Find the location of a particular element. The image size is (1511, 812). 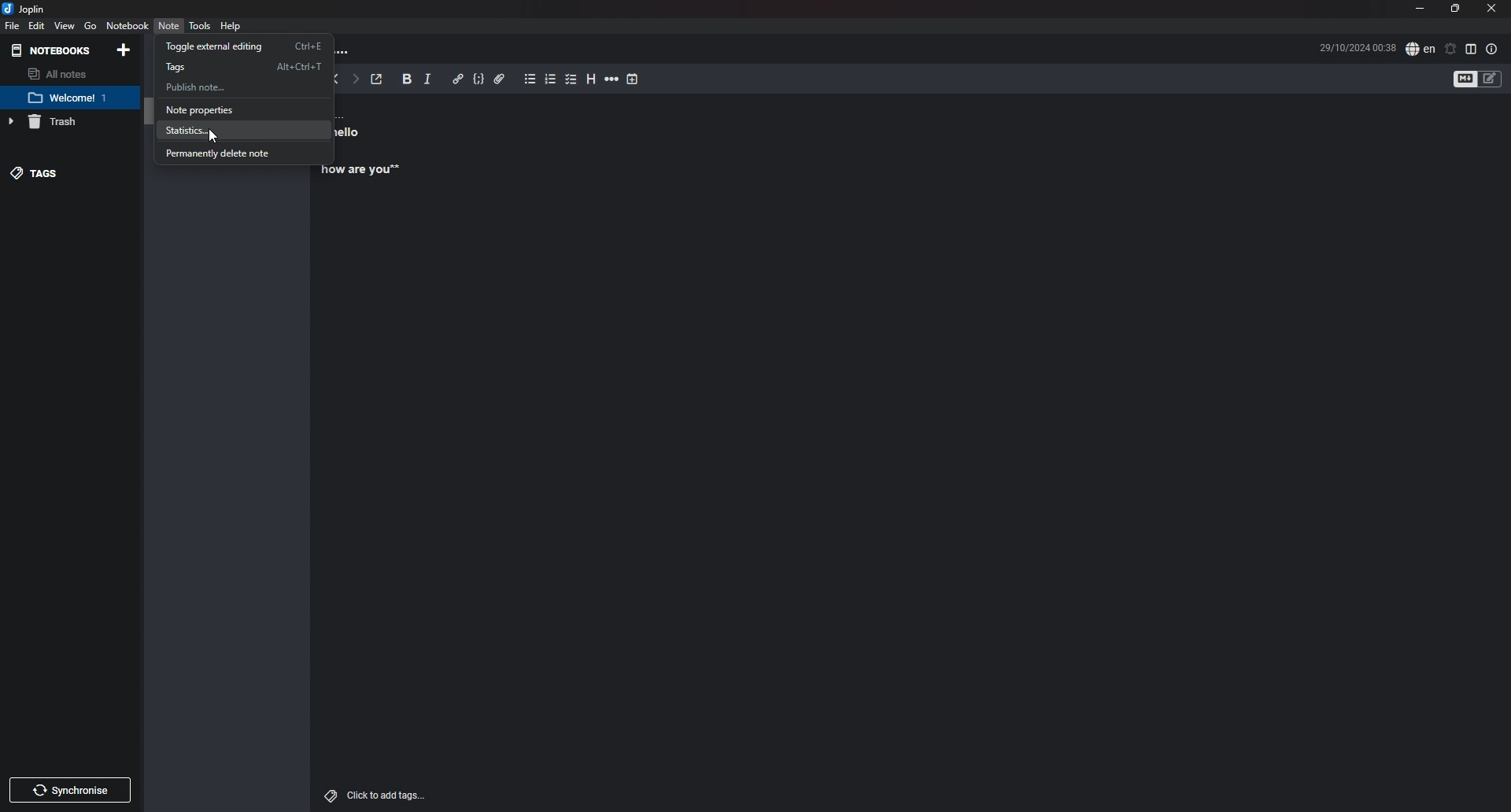

Tags is located at coordinates (244, 66).